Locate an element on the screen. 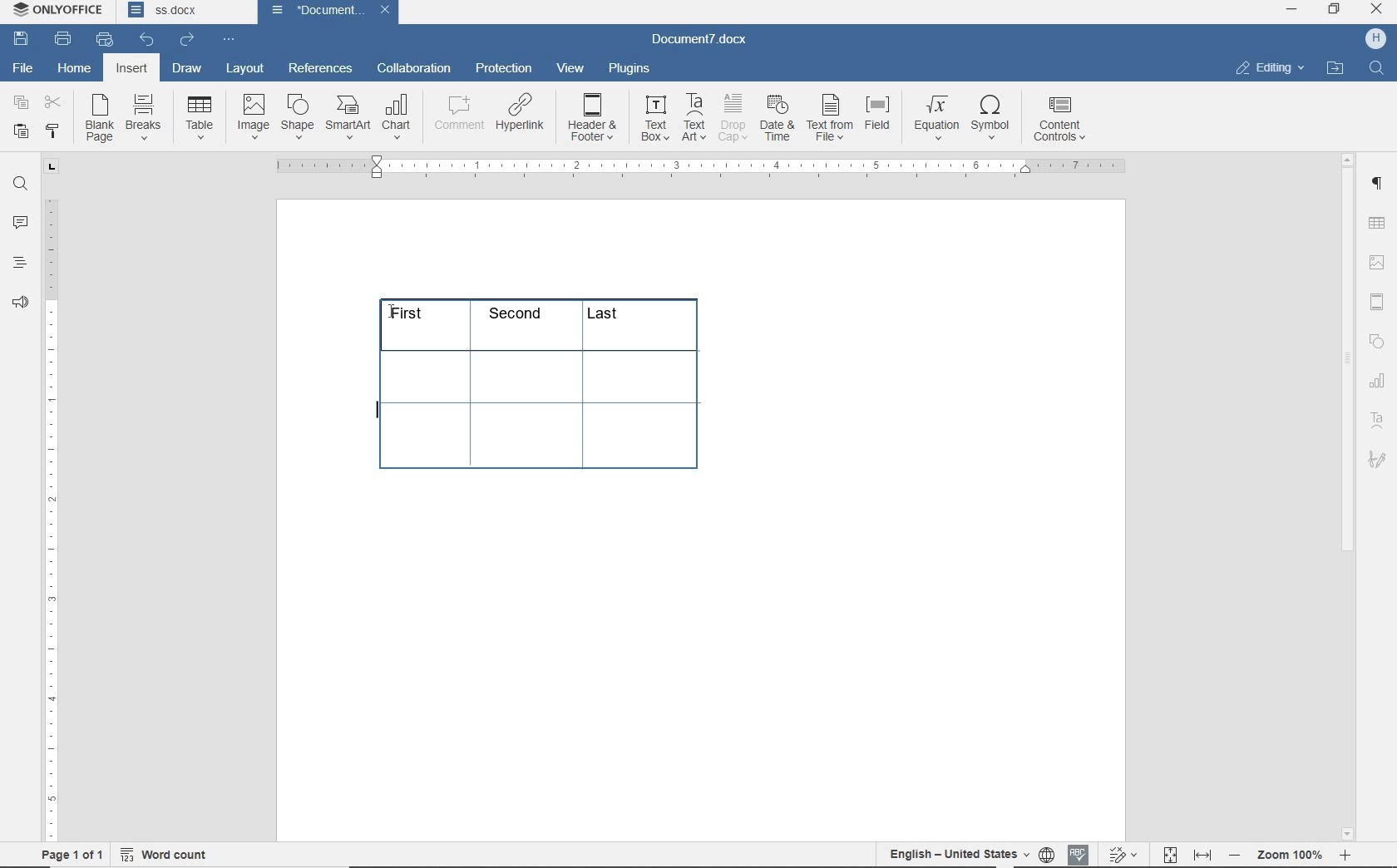  IMAGE is located at coordinates (1378, 262).